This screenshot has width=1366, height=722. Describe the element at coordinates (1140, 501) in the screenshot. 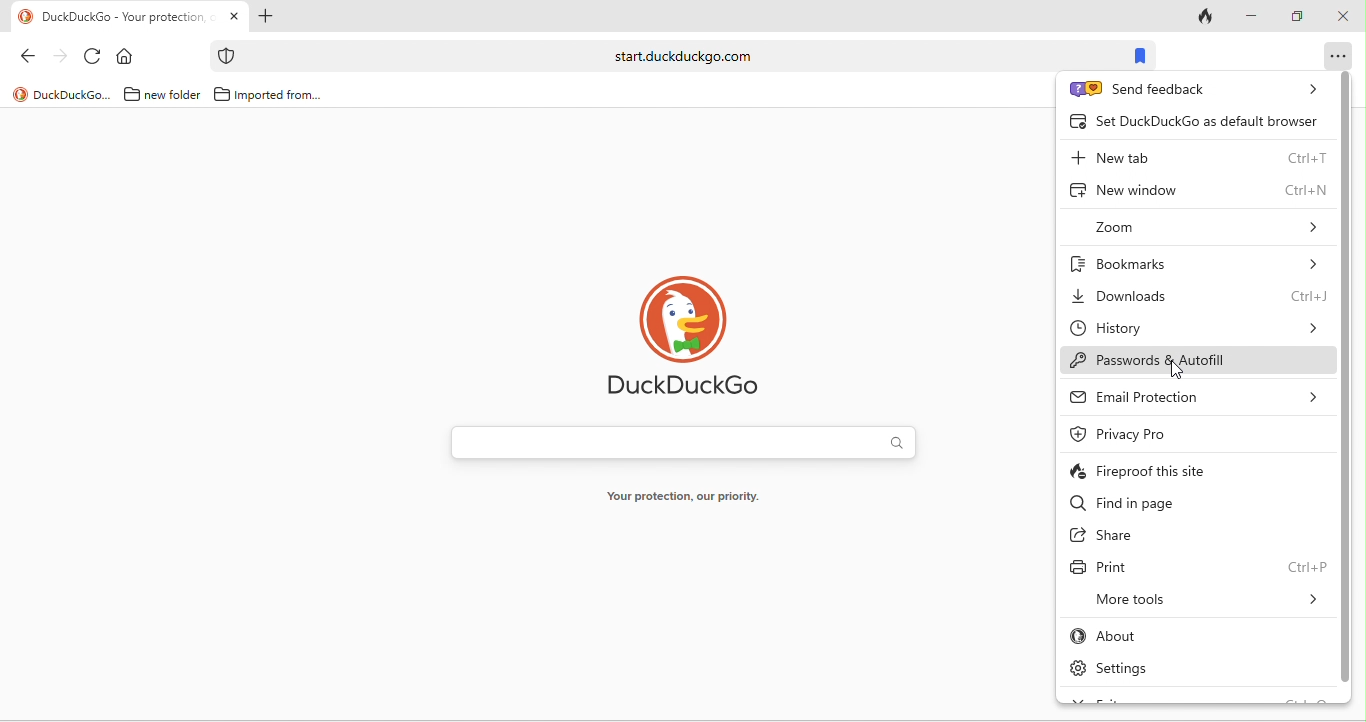

I see `find in page` at that location.